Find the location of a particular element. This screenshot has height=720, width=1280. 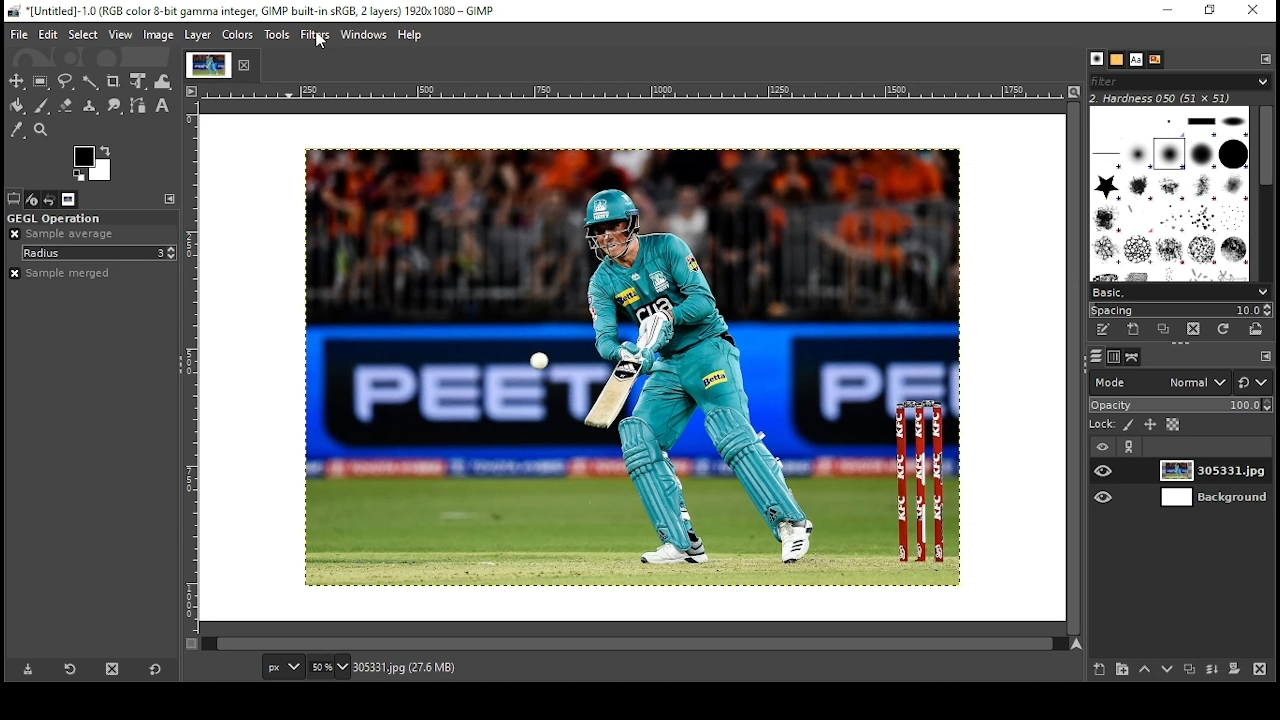

configure this tab is located at coordinates (172, 196).